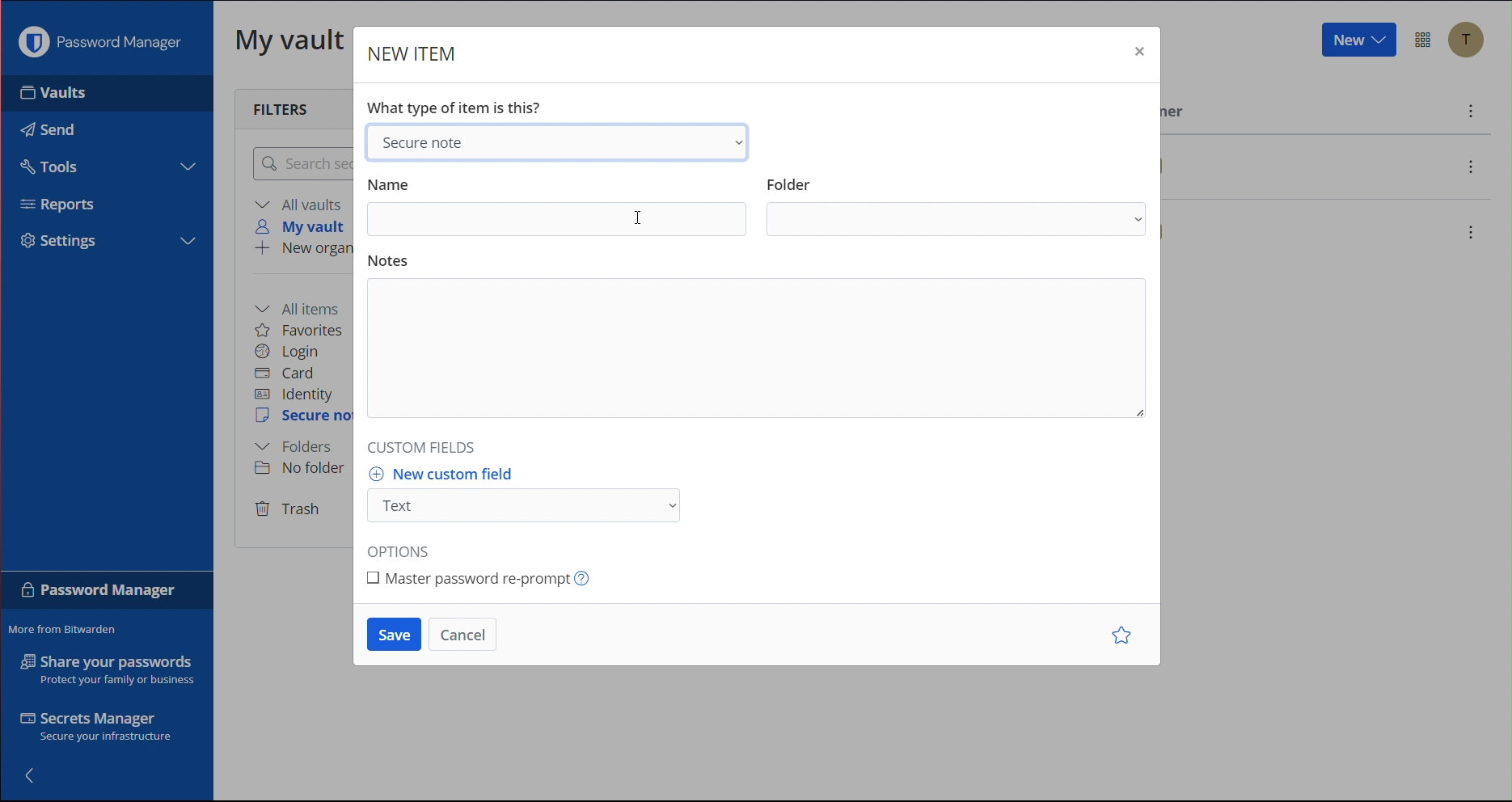 The image size is (1512, 802). I want to click on Card, so click(294, 373).